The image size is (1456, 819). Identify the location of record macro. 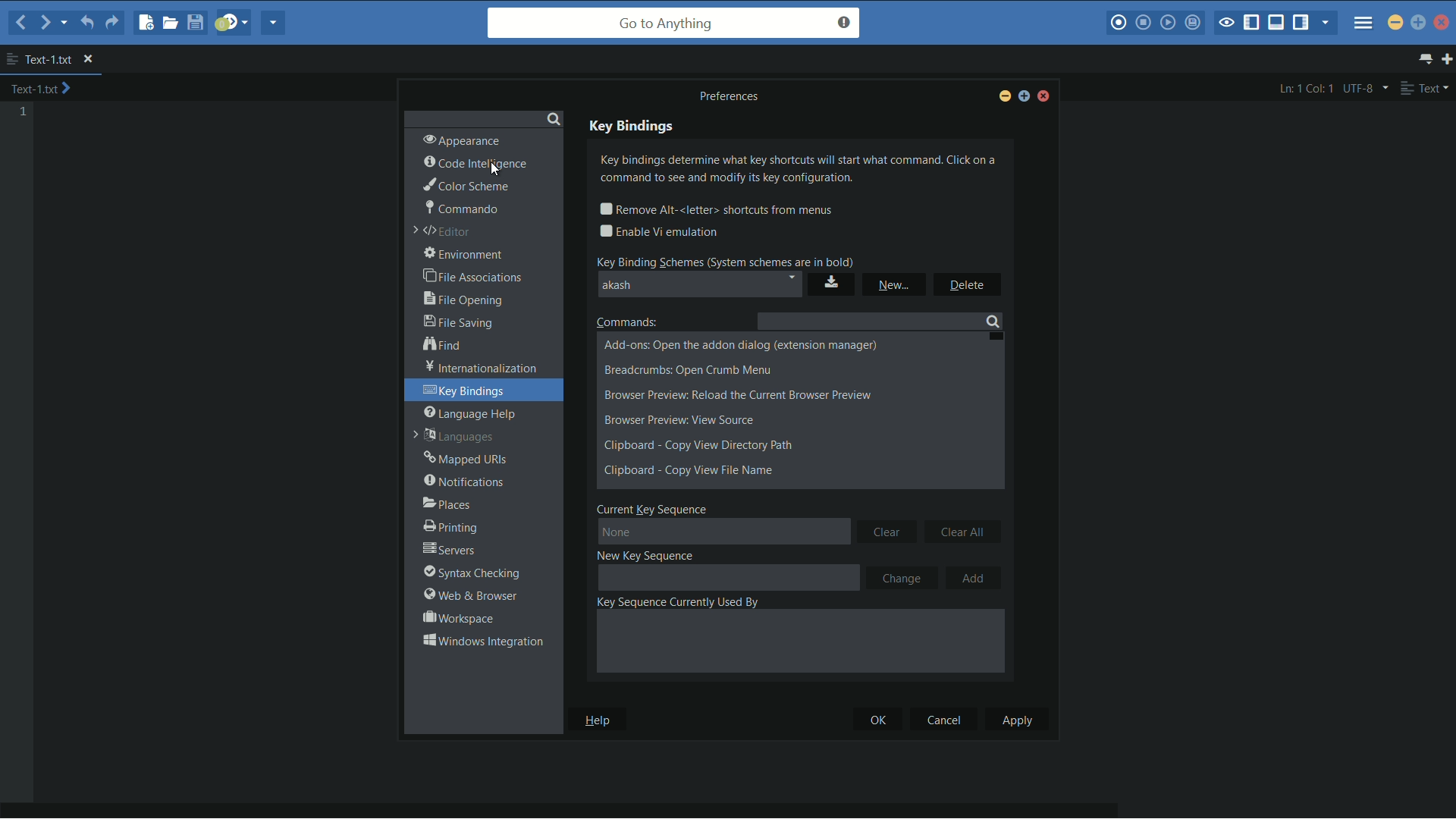
(1118, 24).